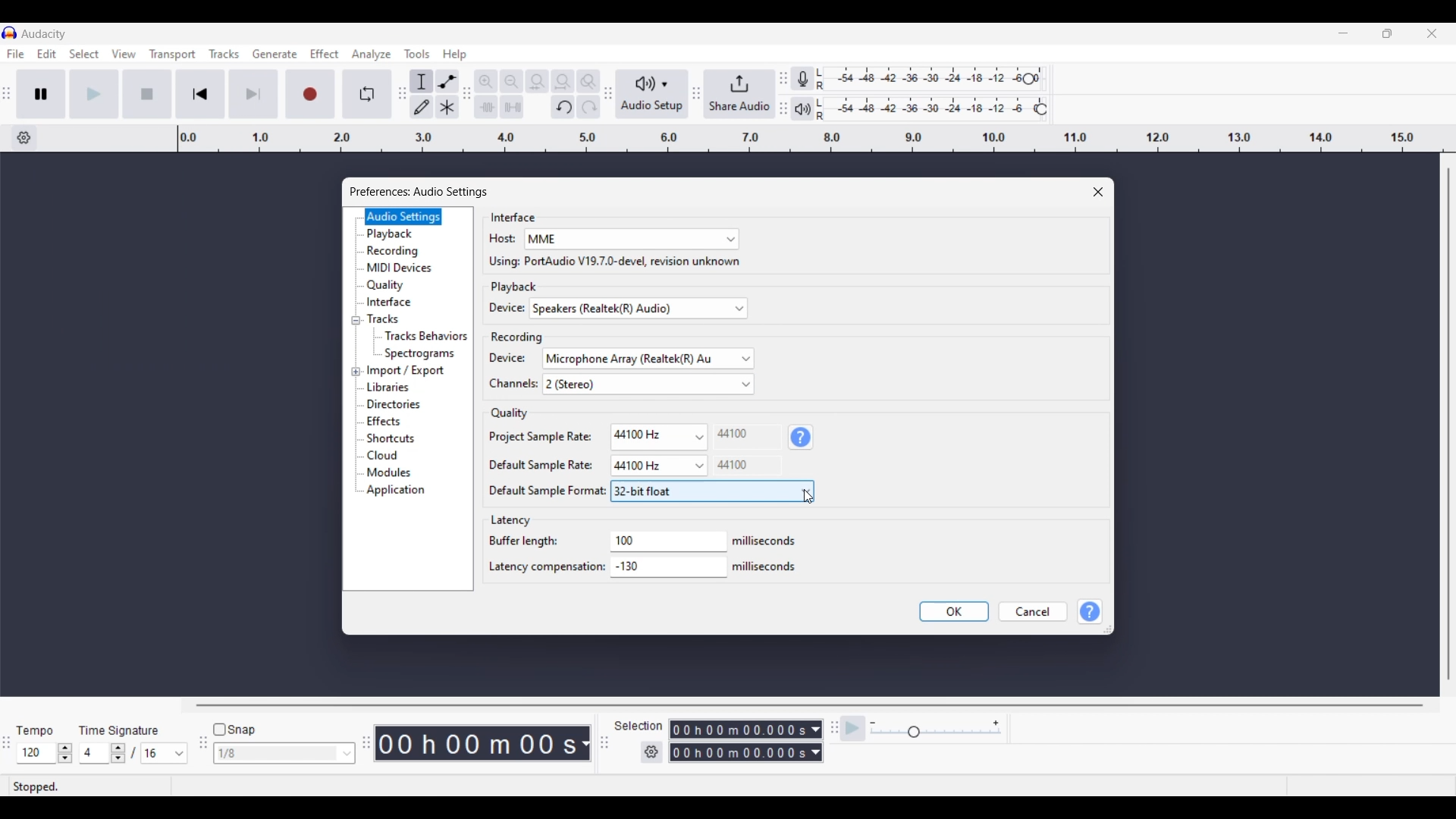 The image size is (1456, 819). What do you see at coordinates (84, 55) in the screenshot?
I see `Select menu` at bounding box center [84, 55].